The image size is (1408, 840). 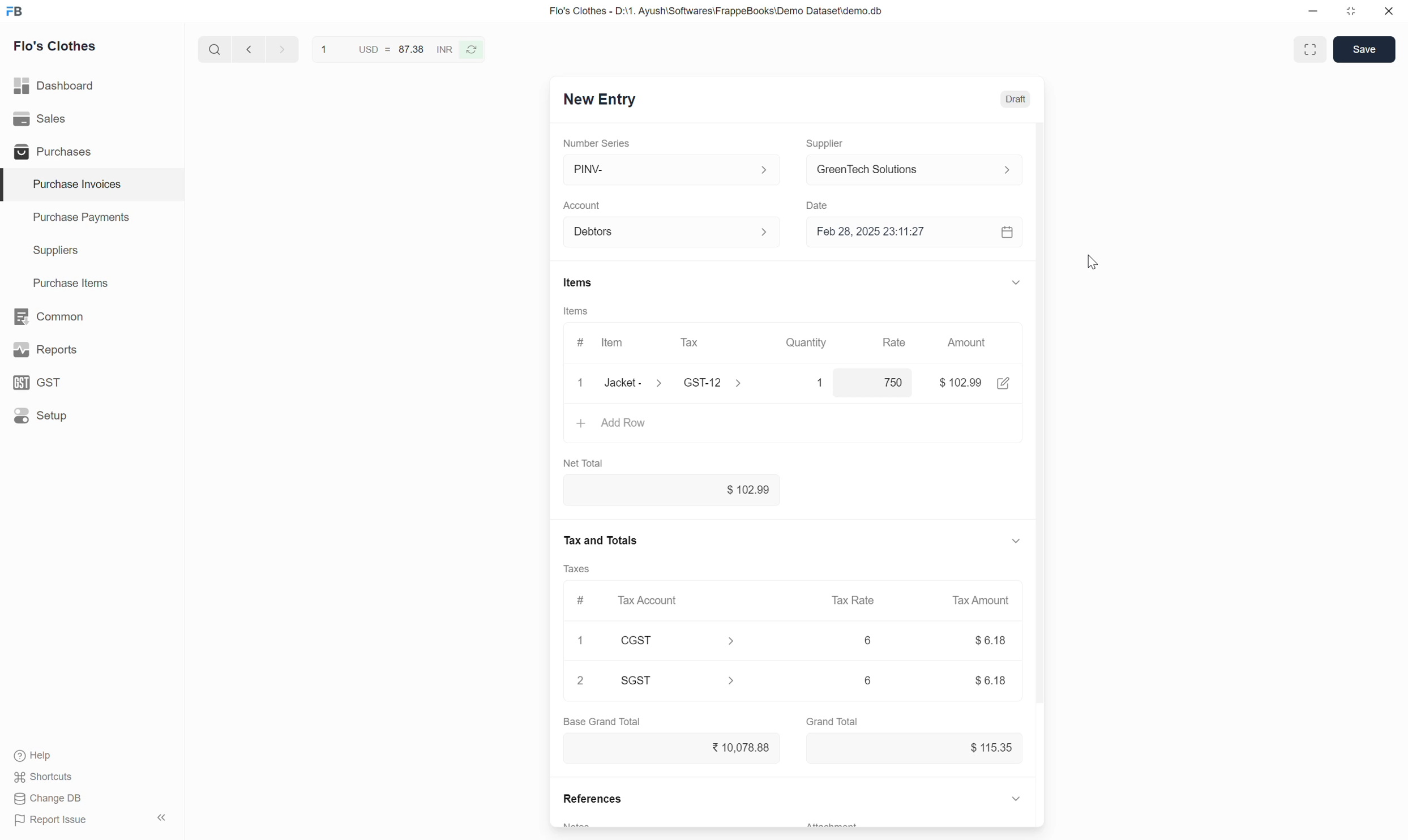 What do you see at coordinates (55, 46) in the screenshot?
I see `Flo's Clothes` at bounding box center [55, 46].